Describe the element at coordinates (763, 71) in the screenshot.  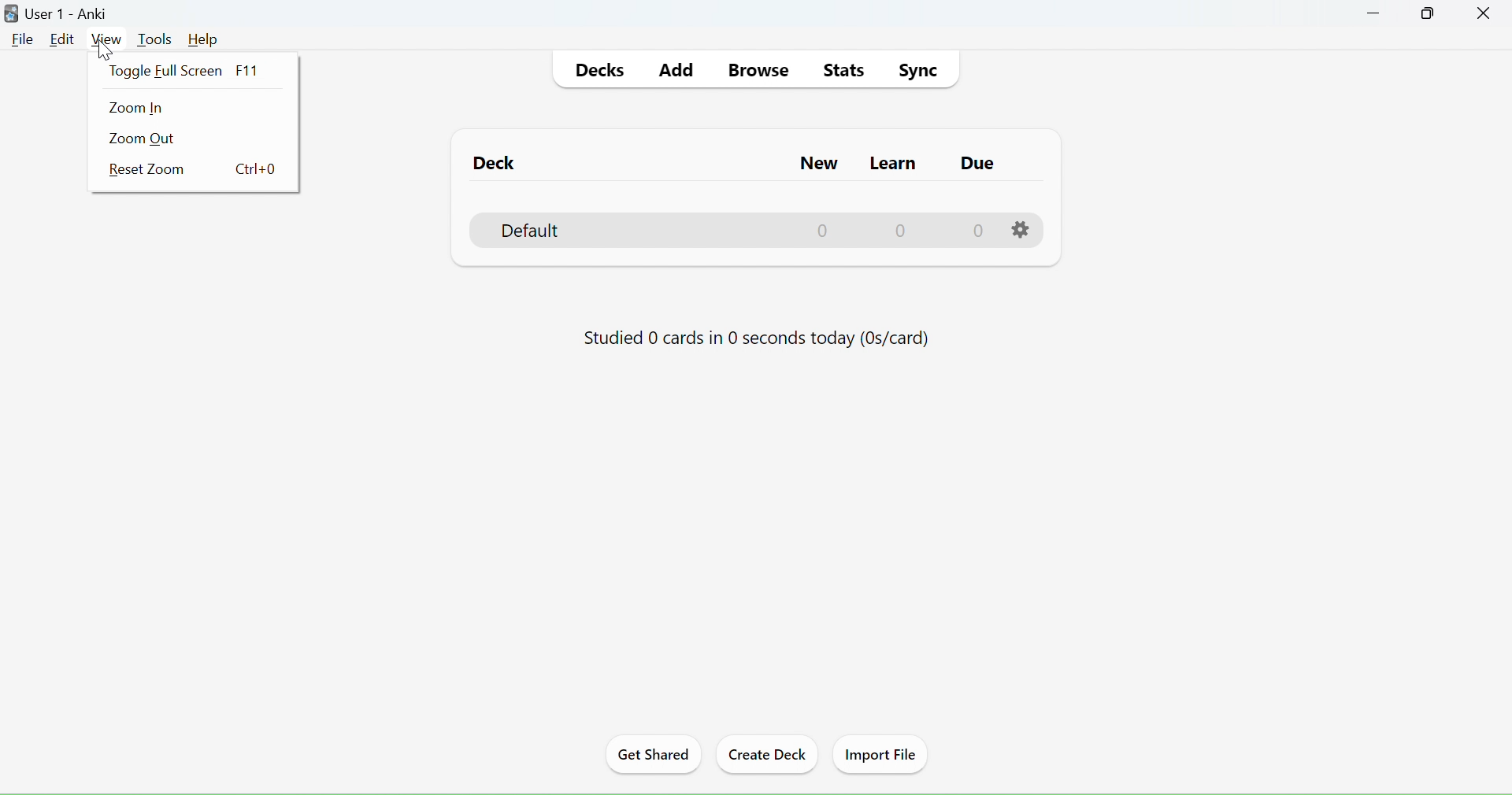
I see `browse` at that location.